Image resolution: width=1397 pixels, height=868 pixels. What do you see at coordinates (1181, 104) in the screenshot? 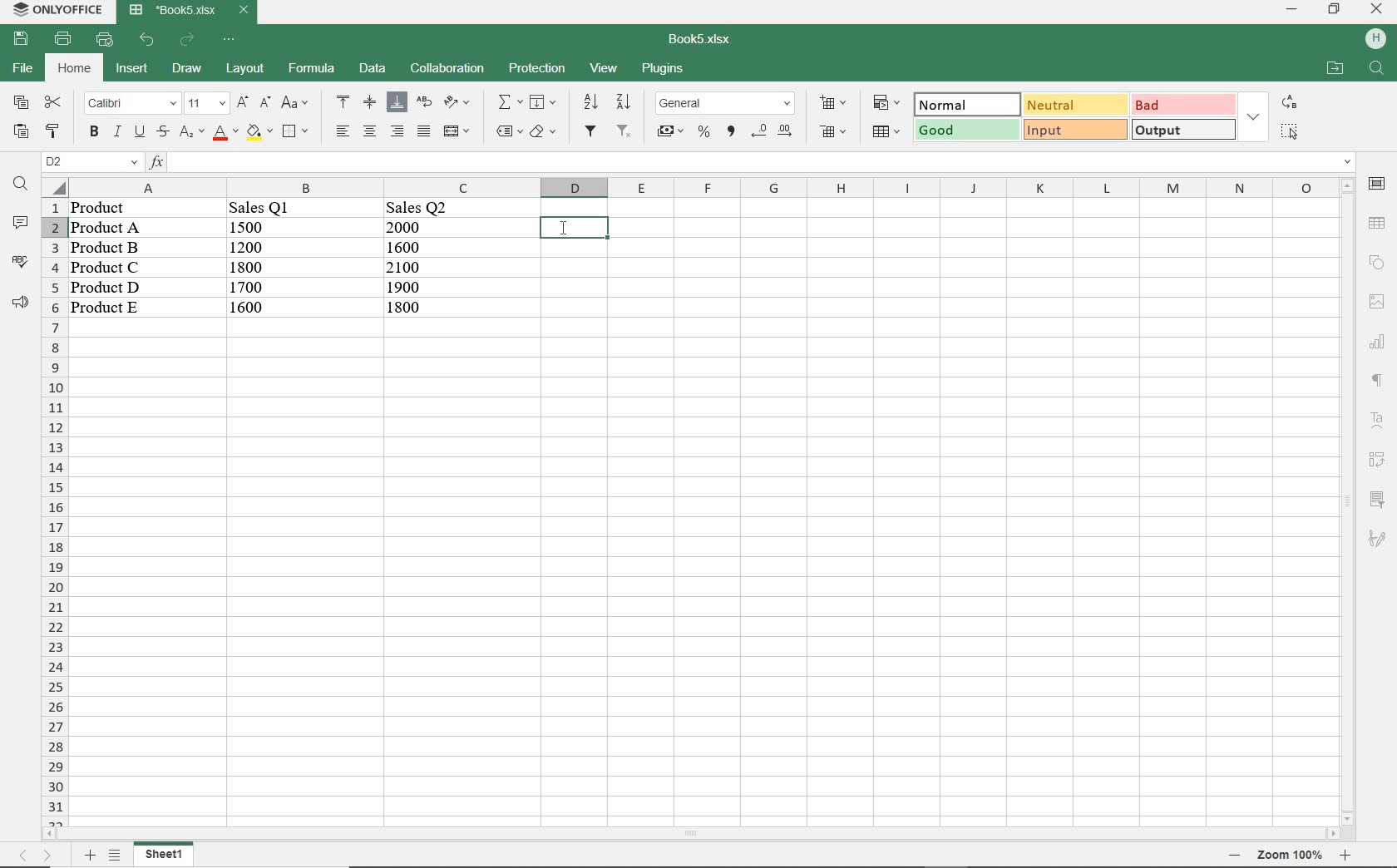
I see `bad` at bounding box center [1181, 104].